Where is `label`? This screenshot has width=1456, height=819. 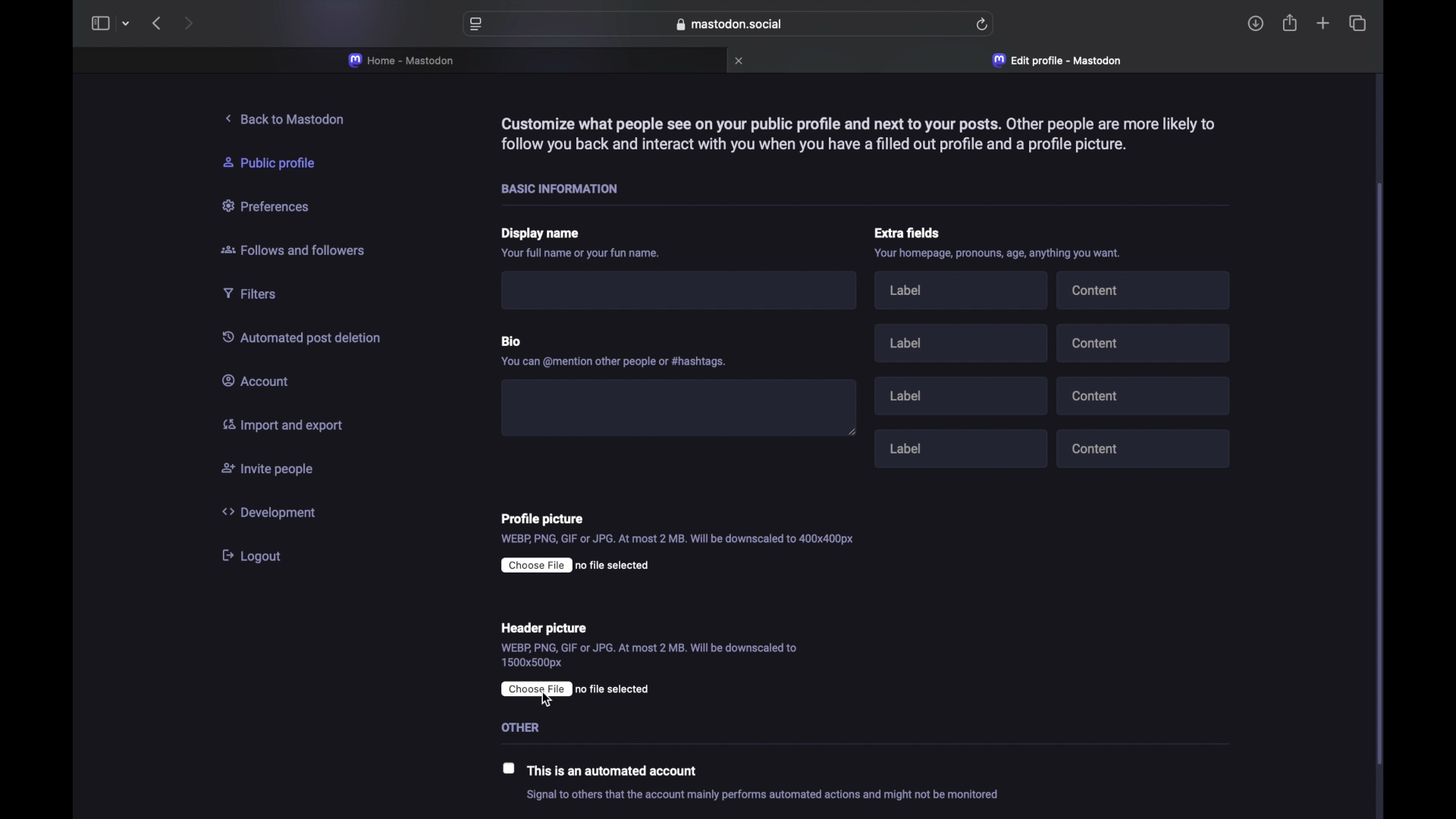
label is located at coordinates (965, 293).